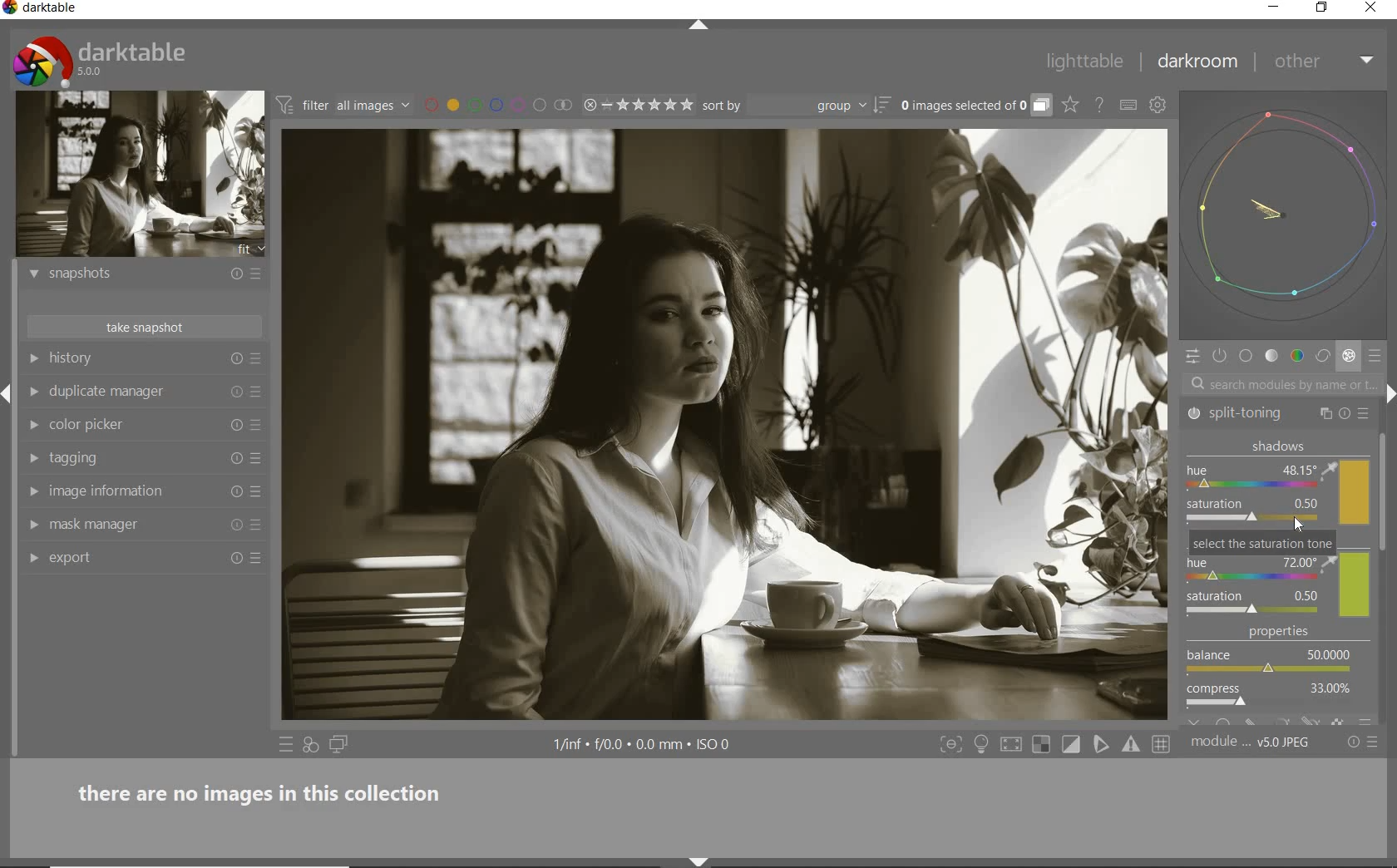 The height and width of the screenshot is (868, 1397). I want to click on waveform, so click(1286, 215).